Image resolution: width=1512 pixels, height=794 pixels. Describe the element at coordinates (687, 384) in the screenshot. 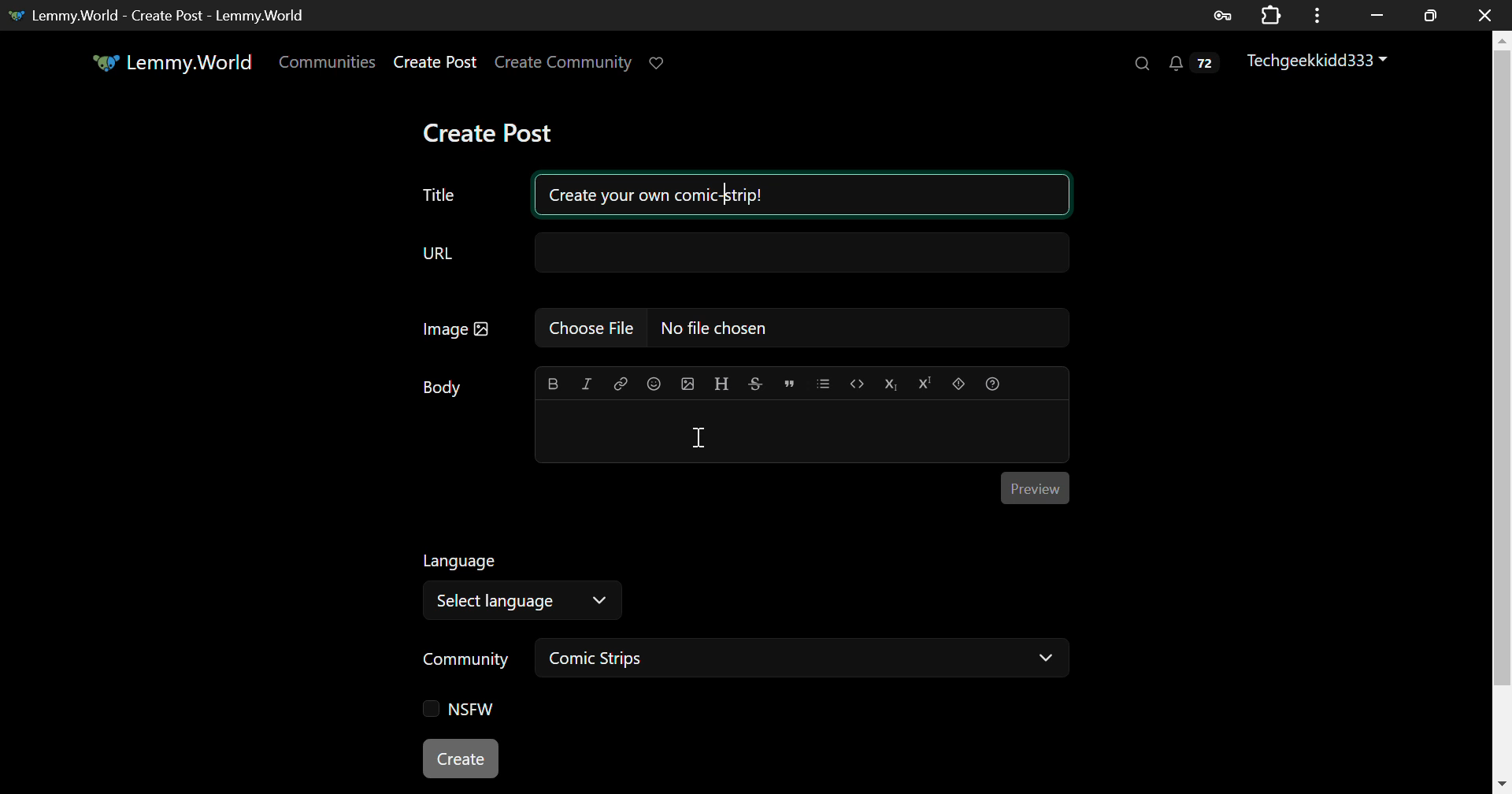

I see `Insert Image` at that location.